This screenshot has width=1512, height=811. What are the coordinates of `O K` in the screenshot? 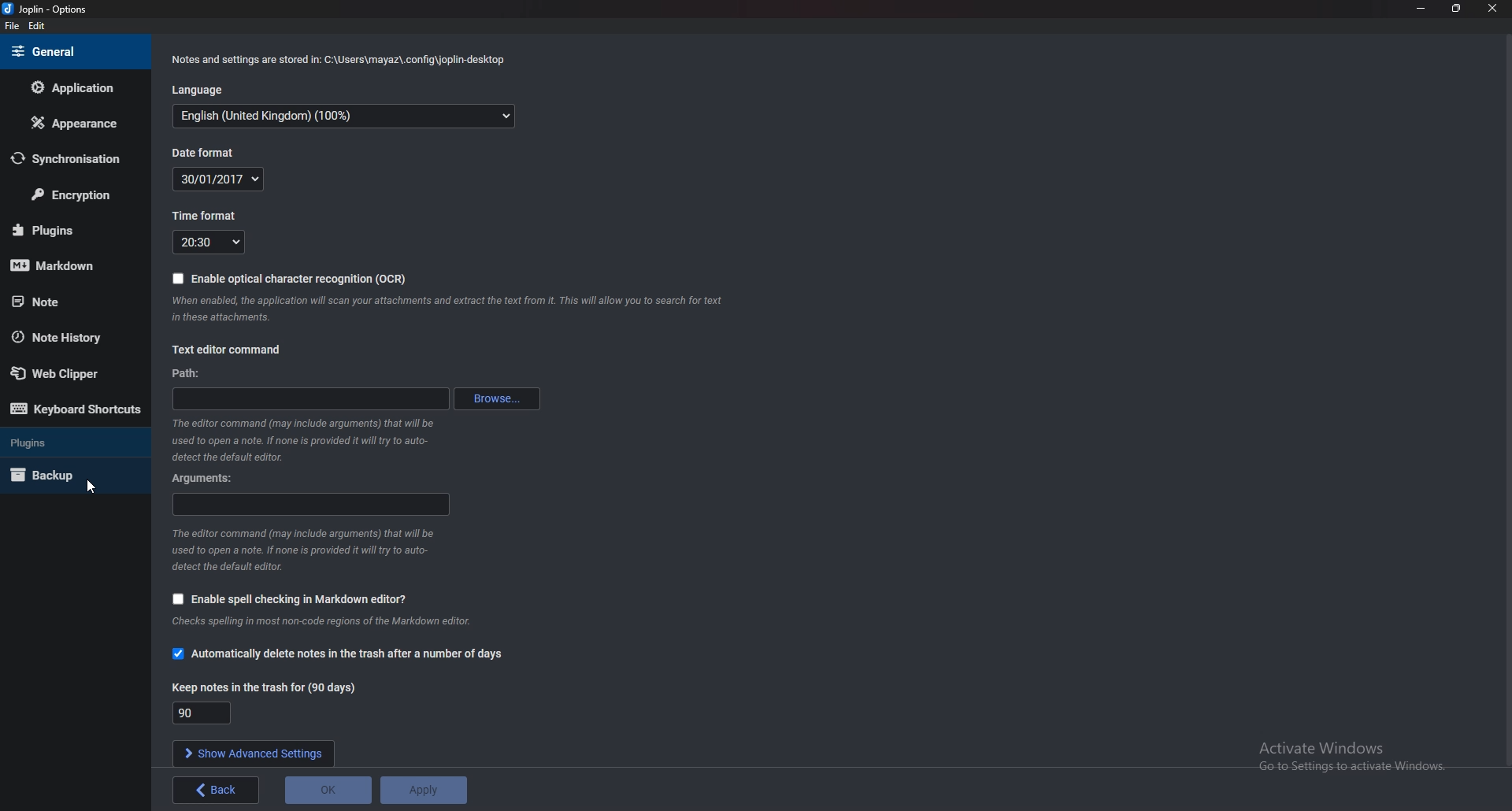 It's located at (328, 791).